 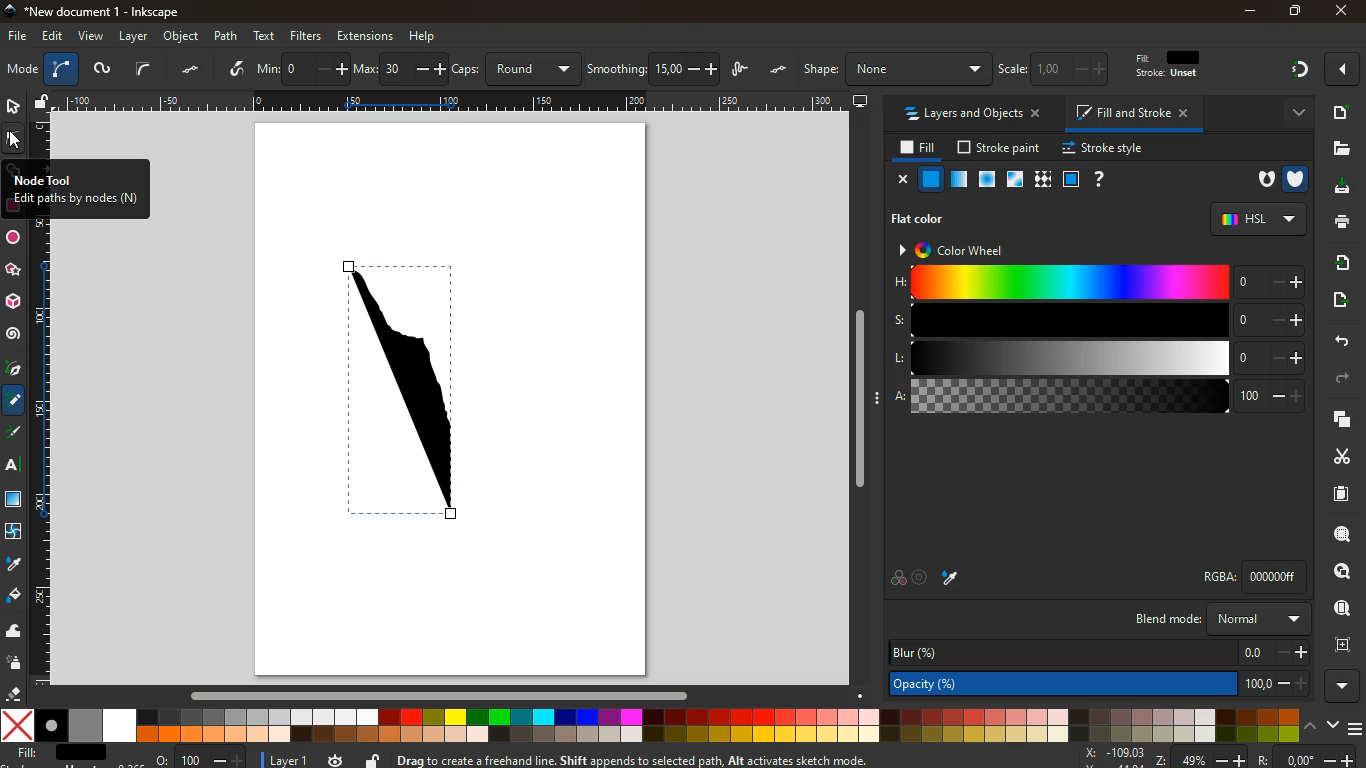 I want to click on layer, so click(x=280, y=759).